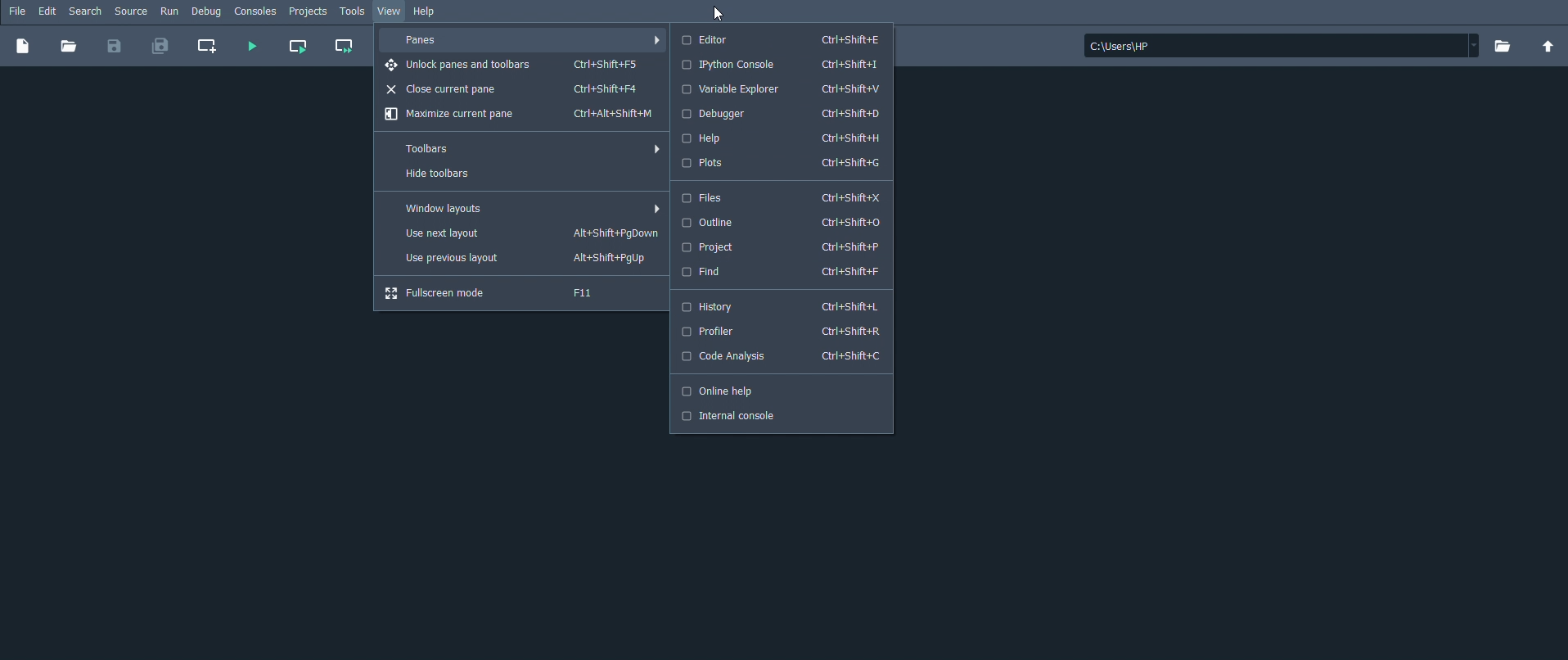  Describe the element at coordinates (161, 47) in the screenshot. I see `Save all files` at that location.